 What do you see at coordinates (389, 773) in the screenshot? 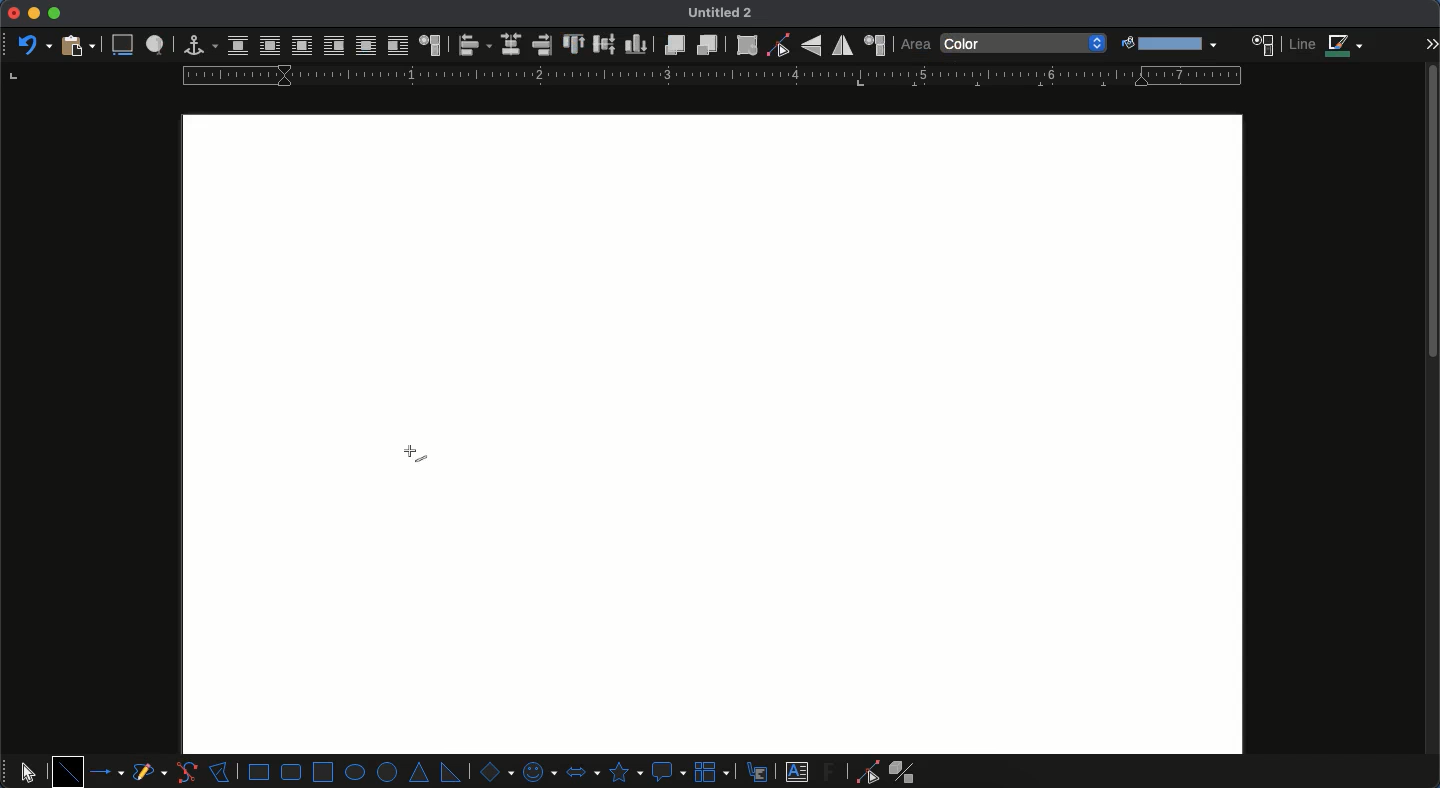
I see `circle` at bounding box center [389, 773].